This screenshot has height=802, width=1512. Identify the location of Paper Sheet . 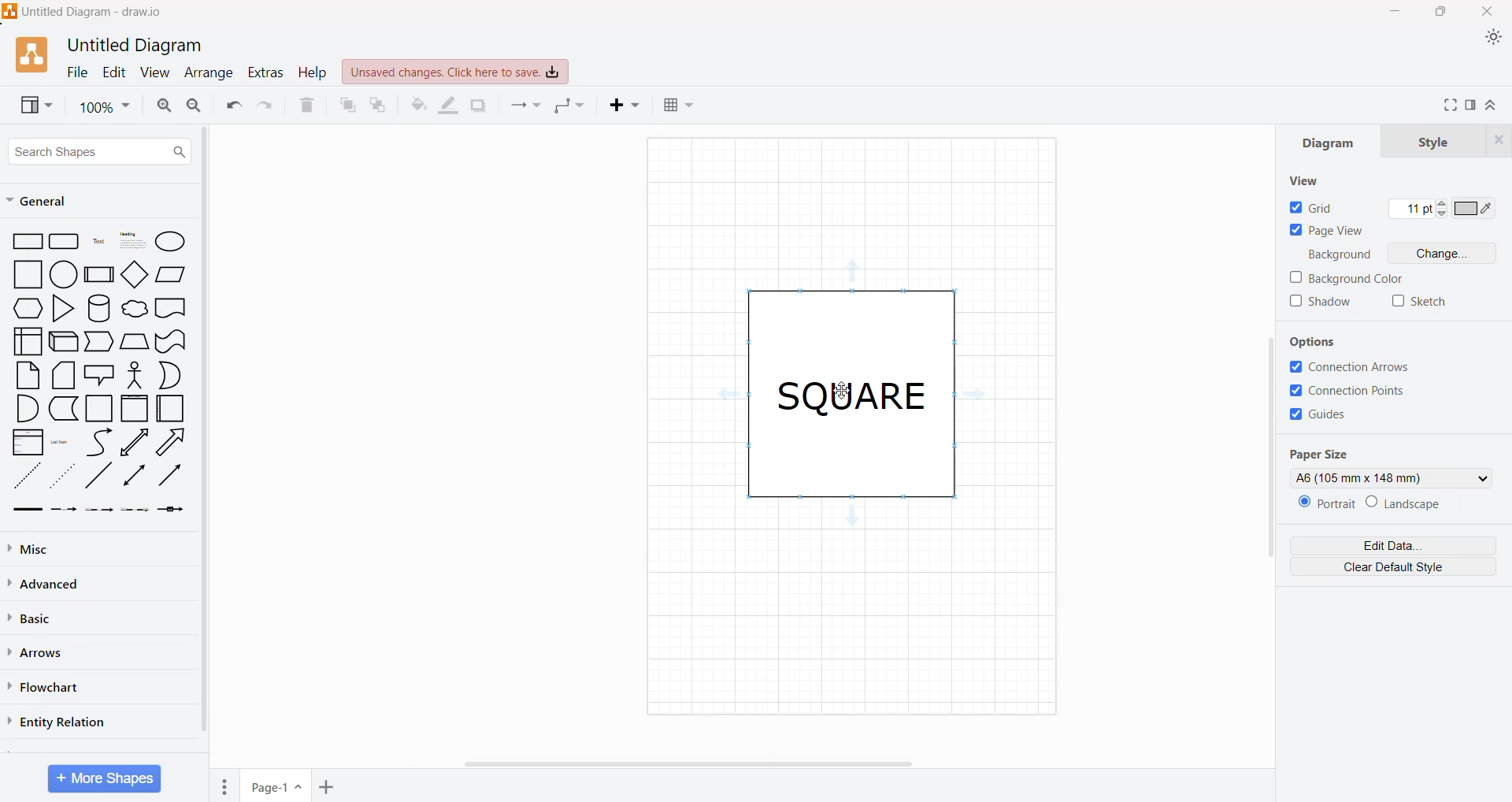
(28, 375).